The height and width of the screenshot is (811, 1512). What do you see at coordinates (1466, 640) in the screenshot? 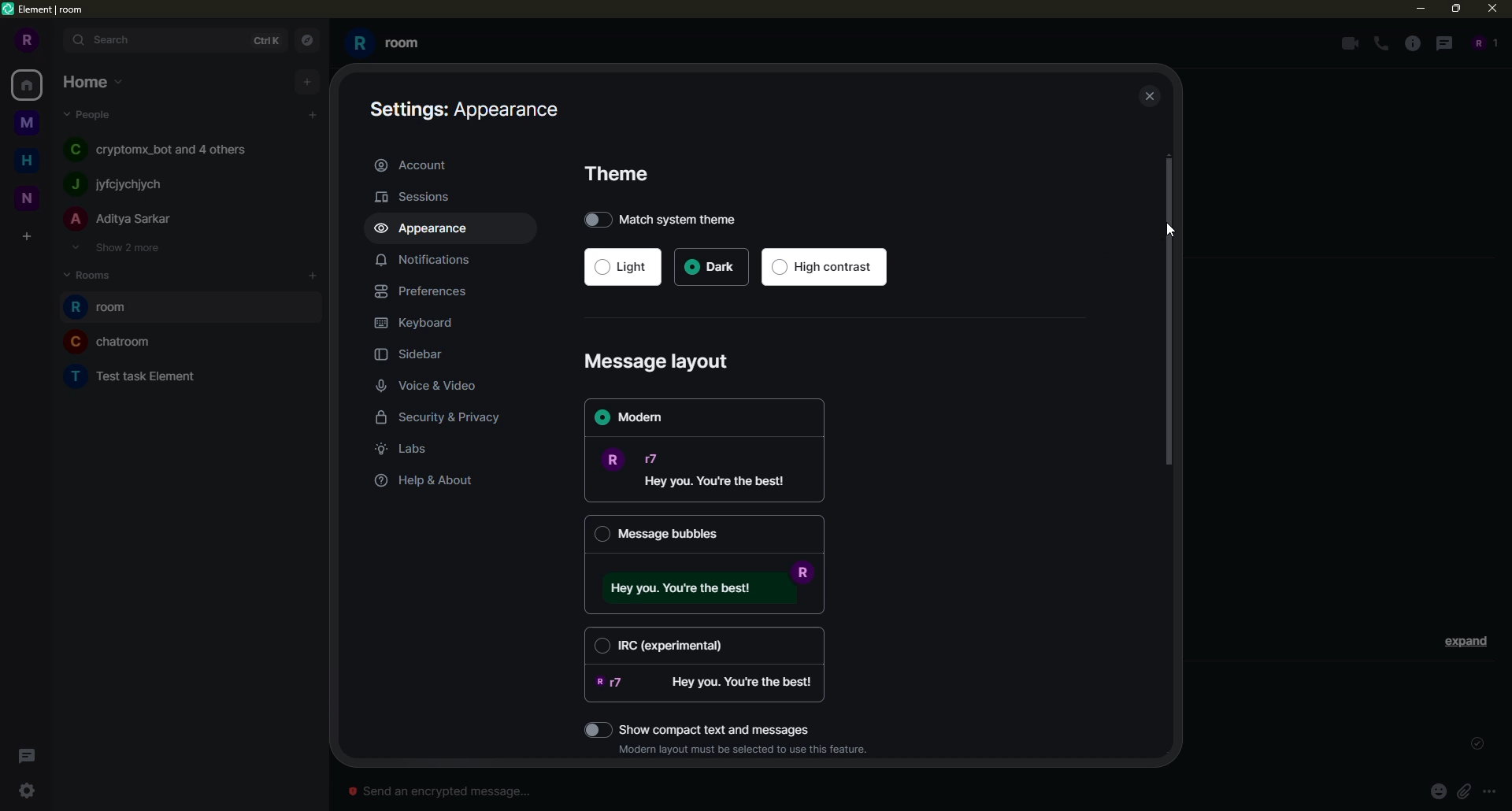
I see `expand` at bounding box center [1466, 640].